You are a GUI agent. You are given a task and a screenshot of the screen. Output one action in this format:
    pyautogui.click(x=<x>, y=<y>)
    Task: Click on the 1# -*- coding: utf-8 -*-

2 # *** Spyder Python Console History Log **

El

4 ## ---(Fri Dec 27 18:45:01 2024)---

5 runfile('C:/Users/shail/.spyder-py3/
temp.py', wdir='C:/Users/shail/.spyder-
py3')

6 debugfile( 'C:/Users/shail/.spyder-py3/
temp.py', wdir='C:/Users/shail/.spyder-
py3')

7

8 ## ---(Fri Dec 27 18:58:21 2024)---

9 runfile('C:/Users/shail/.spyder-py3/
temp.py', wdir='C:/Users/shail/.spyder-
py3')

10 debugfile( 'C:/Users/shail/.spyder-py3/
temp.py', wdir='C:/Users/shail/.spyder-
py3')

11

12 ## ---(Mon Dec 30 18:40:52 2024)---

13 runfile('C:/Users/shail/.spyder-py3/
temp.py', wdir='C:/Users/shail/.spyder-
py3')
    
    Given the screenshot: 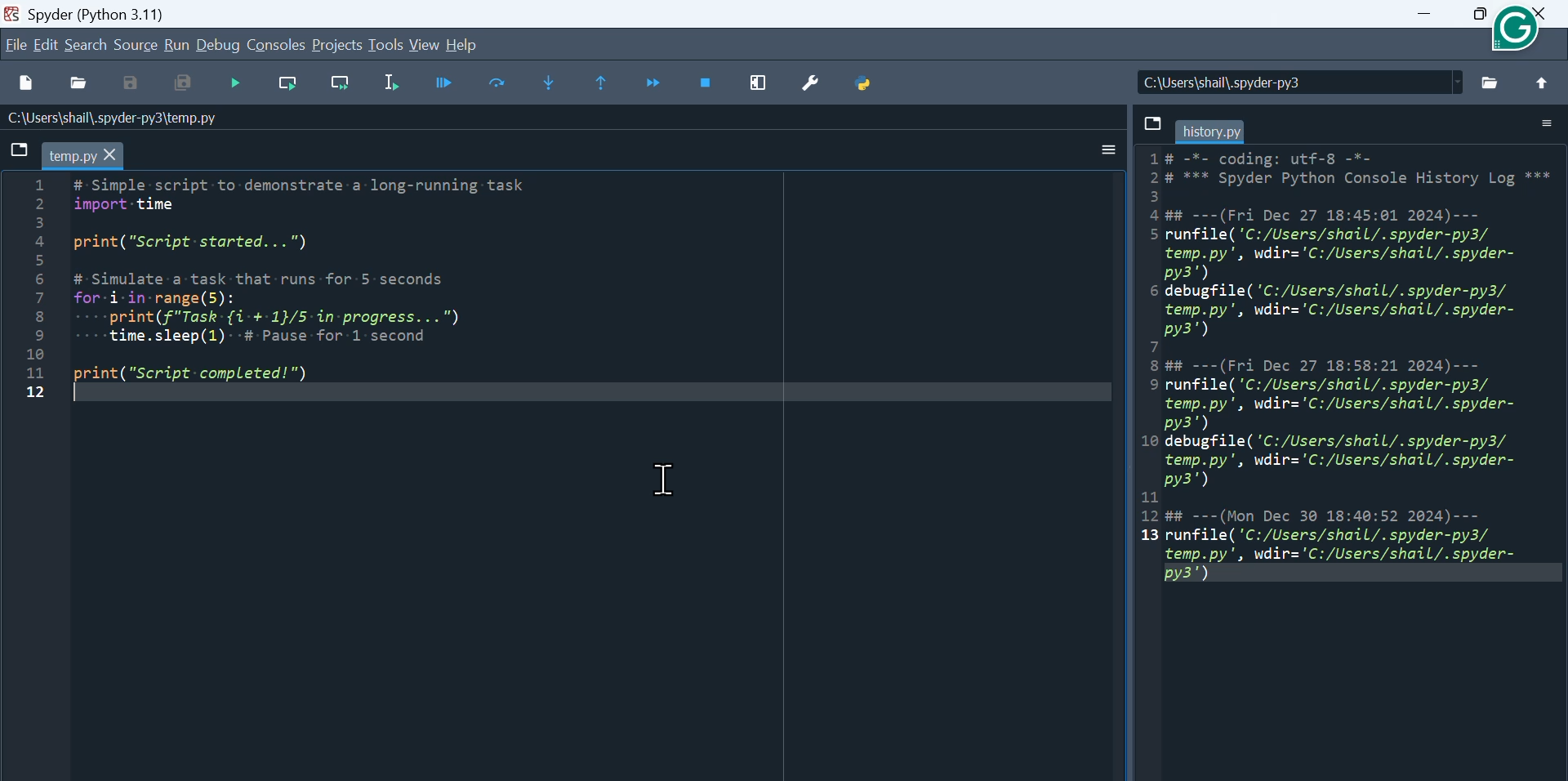 What is the action you would take?
    pyautogui.click(x=1351, y=368)
    